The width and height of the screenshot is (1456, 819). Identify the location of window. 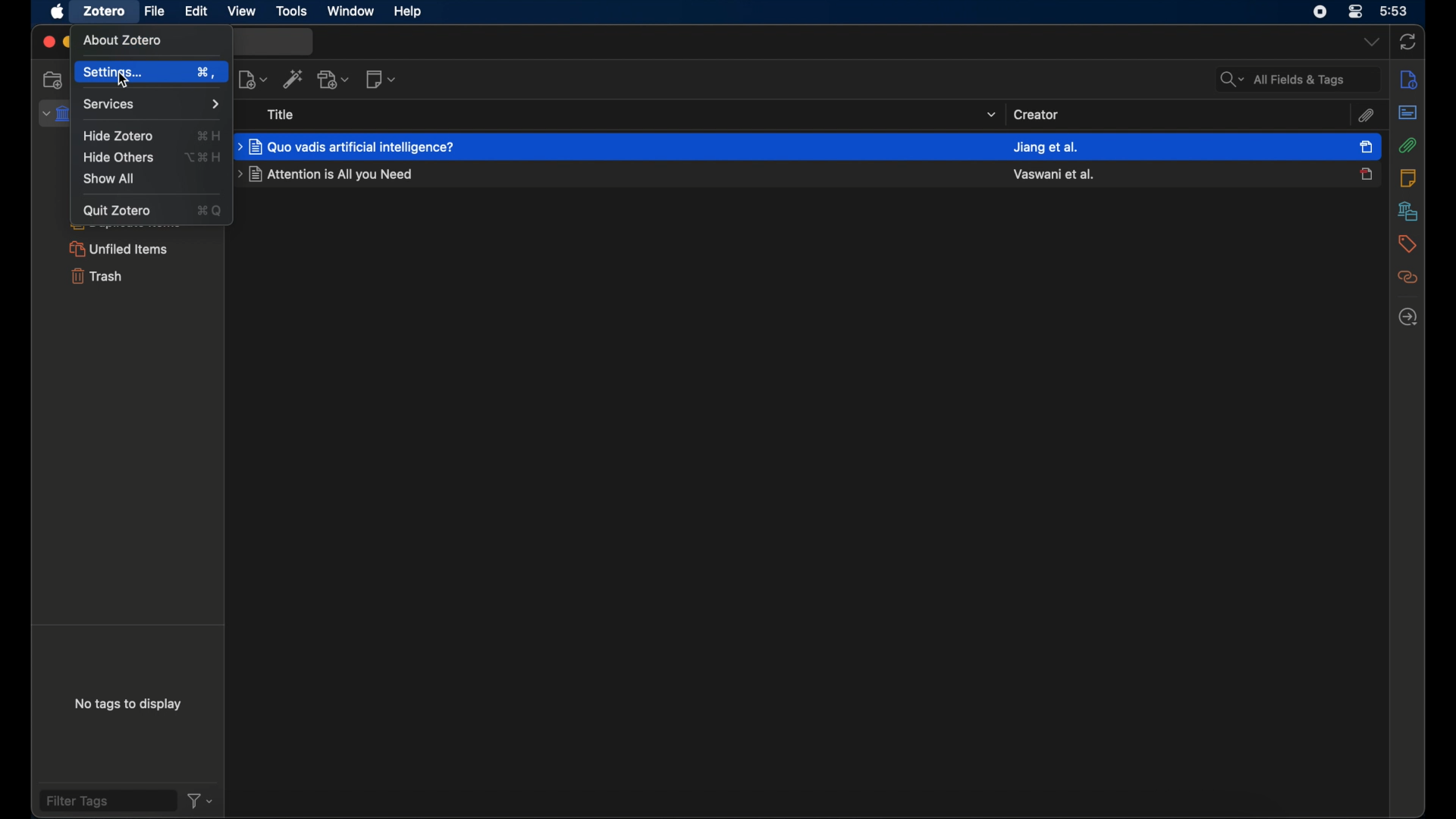
(350, 11).